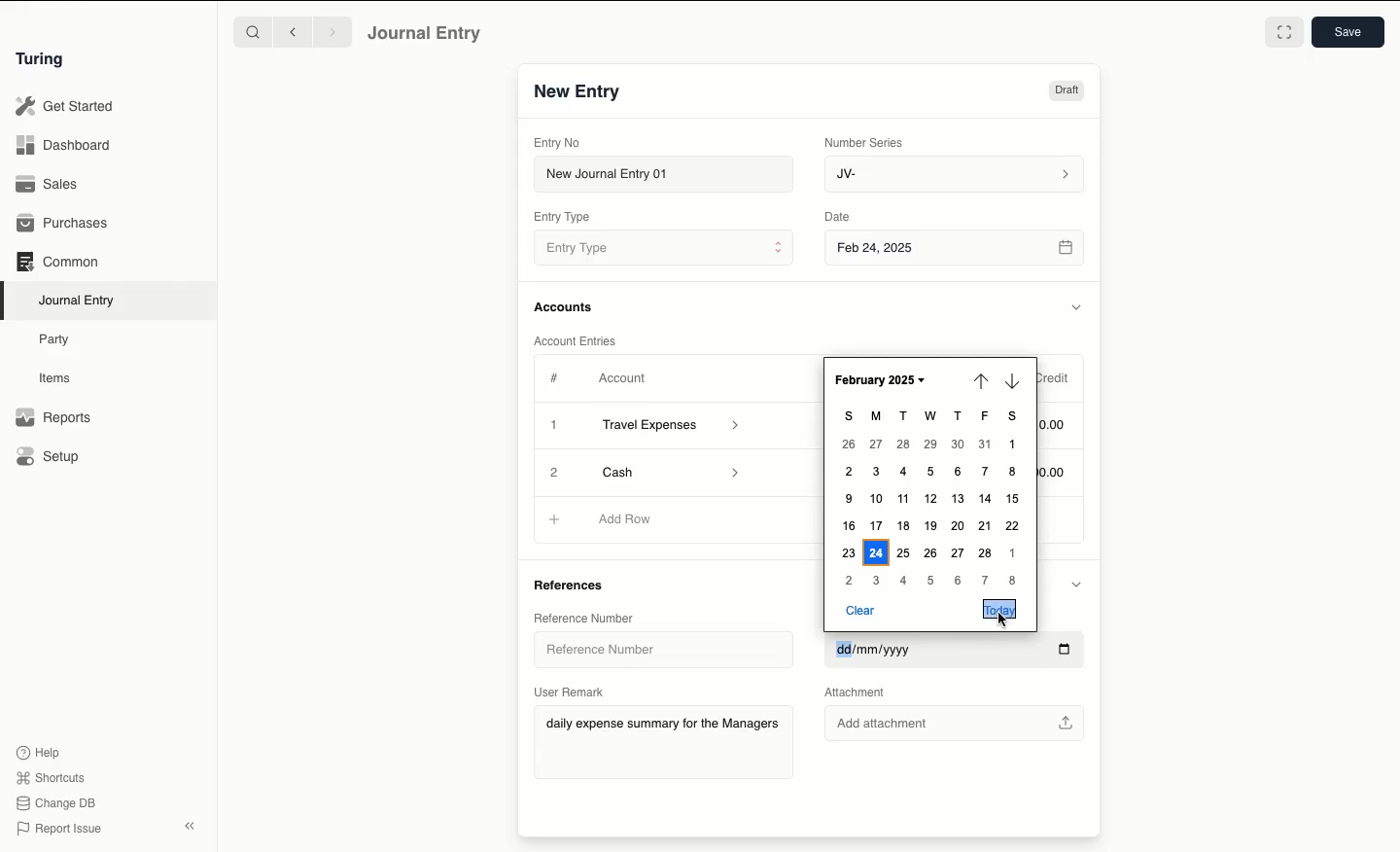  Describe the element at coordinates (44, 60) in the screenshot. I see `Turing` at that location.